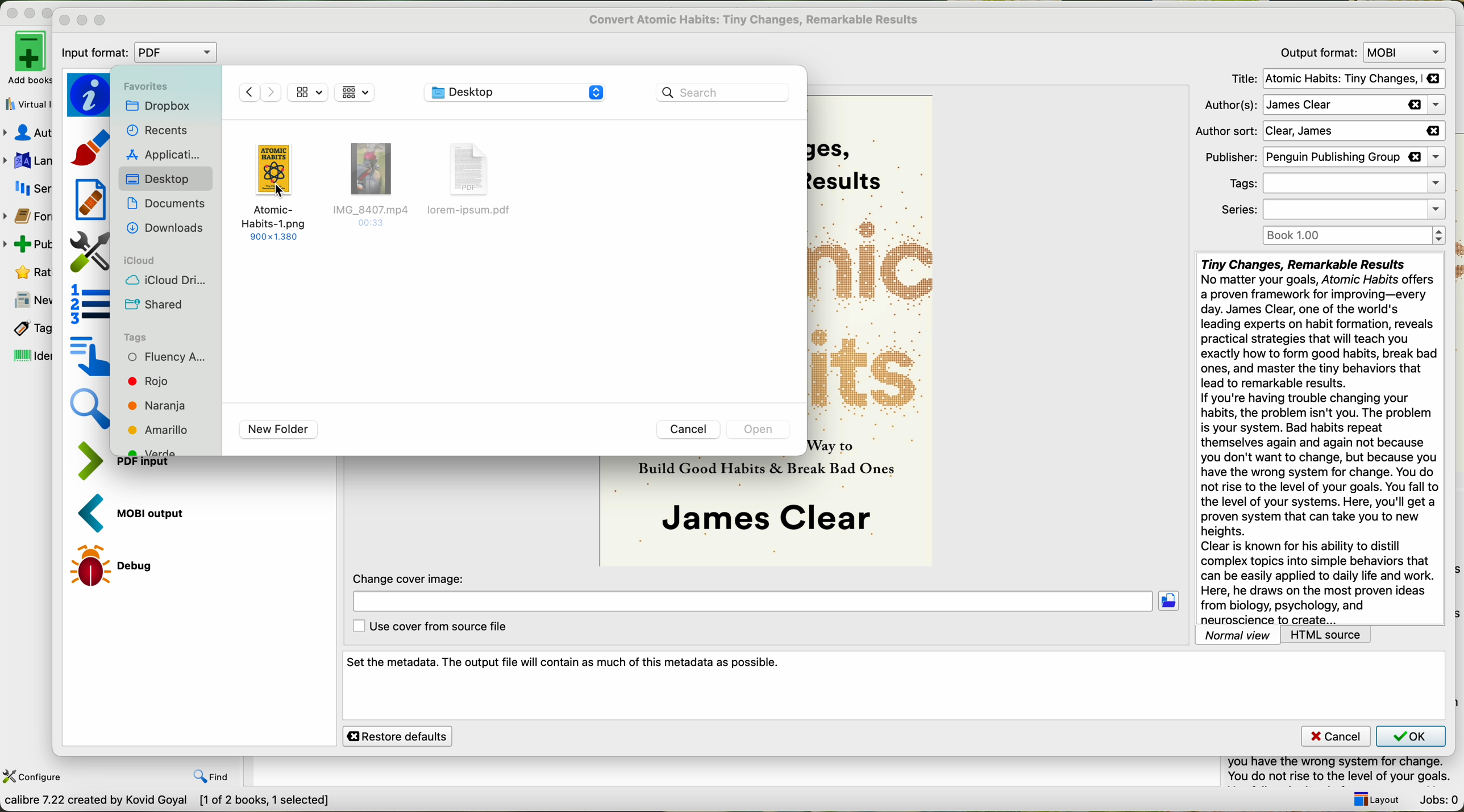 This screenshot has height=812, width=1464. Describe the element at coordinates (514, 93) in the screenshot. I see `location` at that location.